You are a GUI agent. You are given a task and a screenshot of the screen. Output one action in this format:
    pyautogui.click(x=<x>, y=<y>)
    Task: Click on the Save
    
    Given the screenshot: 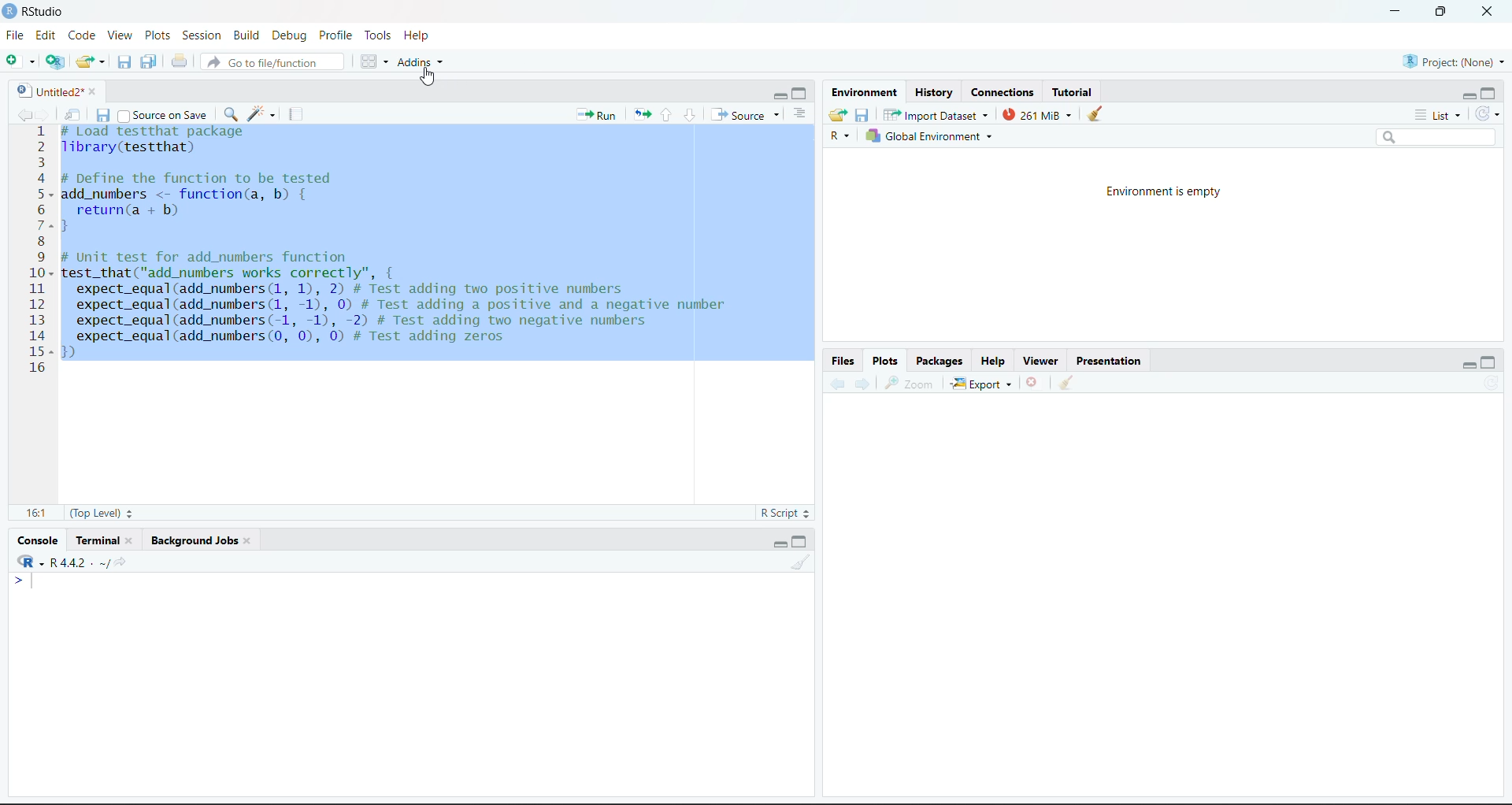 What is the action you would take?
    pyautogui.click(x=102, y=116)
    